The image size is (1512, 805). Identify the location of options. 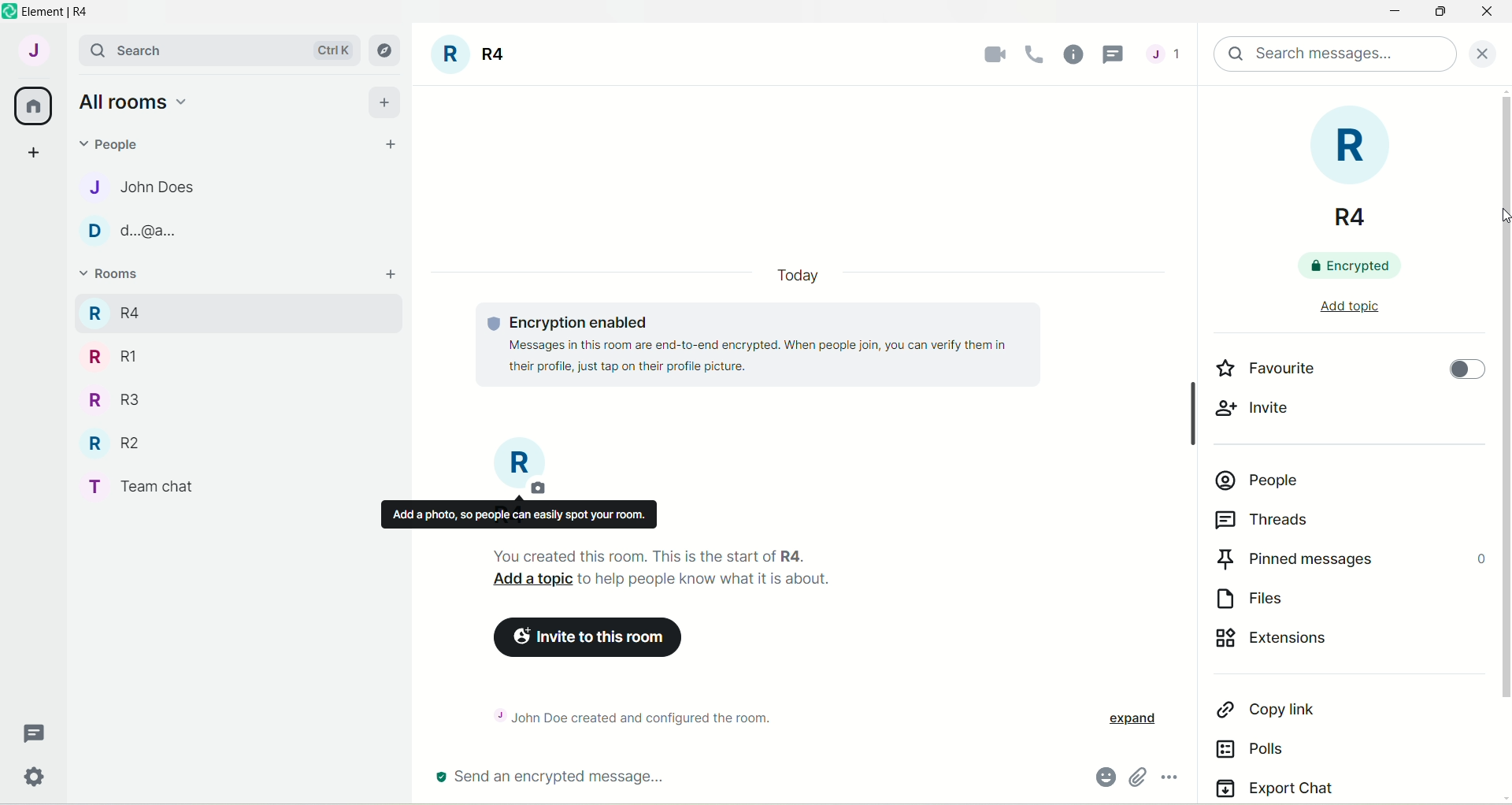
(1172, 779).